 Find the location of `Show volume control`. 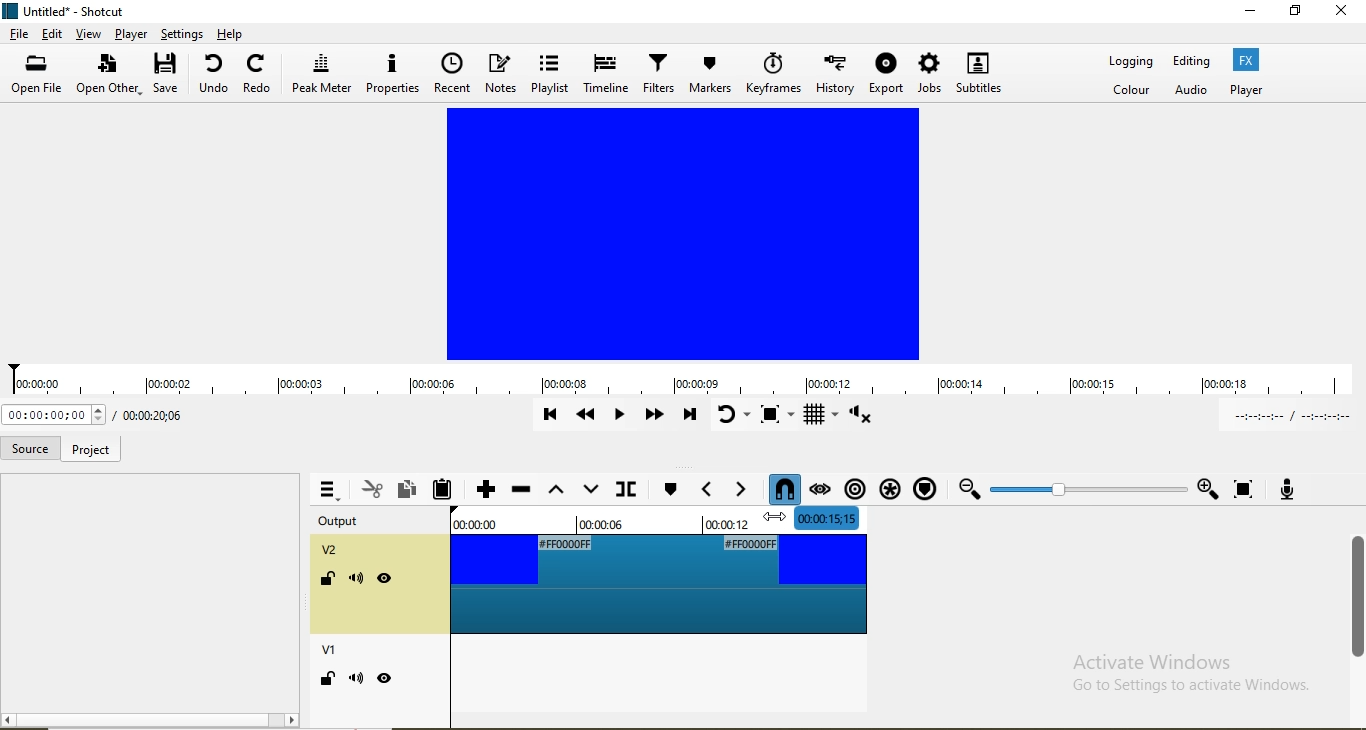

Show volume control is located at coordinates (864, 418).